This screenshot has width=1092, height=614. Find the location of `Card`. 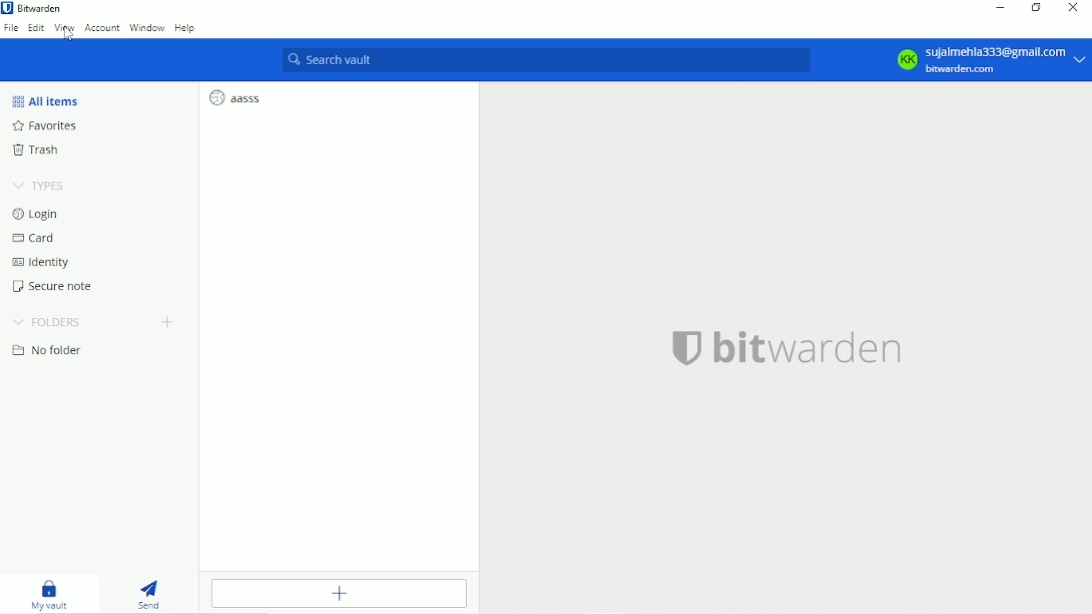

Card is located at coordinates (35, 238).